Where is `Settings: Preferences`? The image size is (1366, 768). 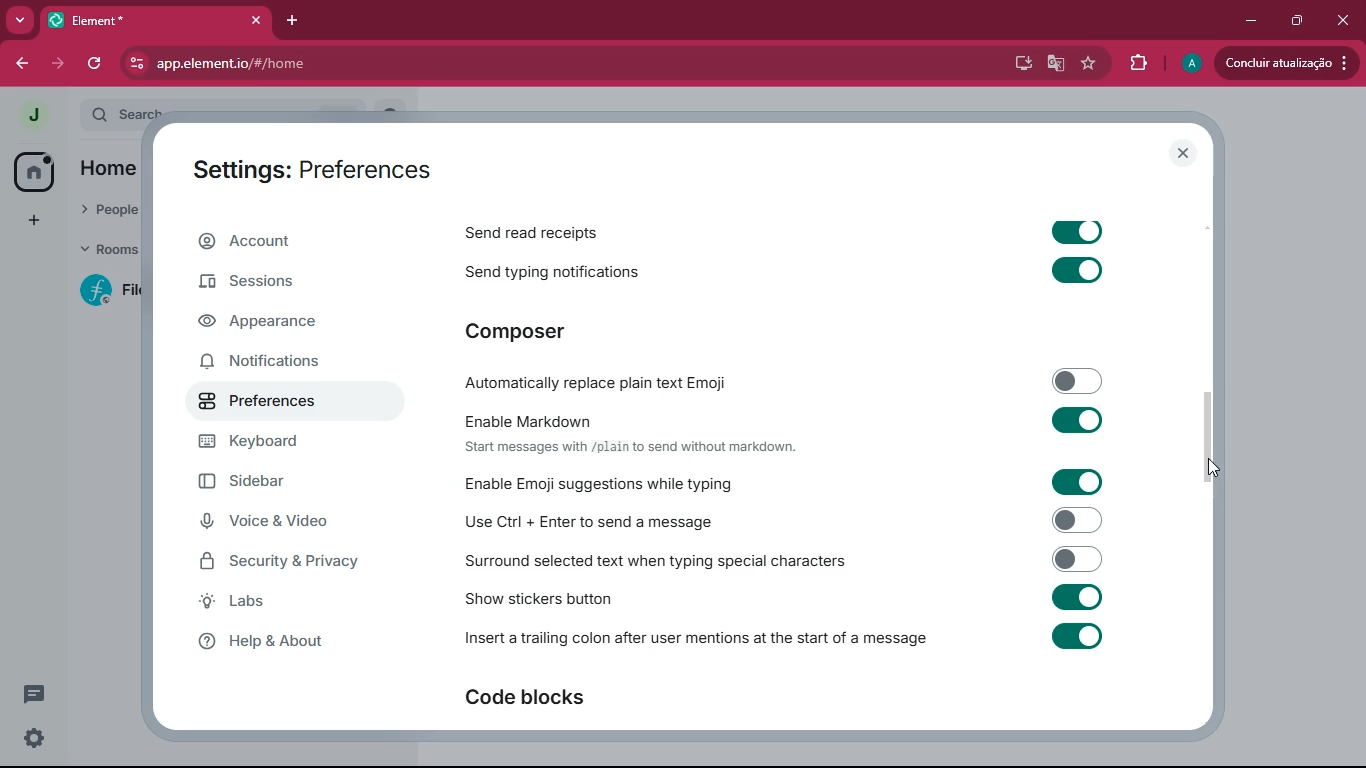
Settings: Preferences is located at coordinates (318, 168).